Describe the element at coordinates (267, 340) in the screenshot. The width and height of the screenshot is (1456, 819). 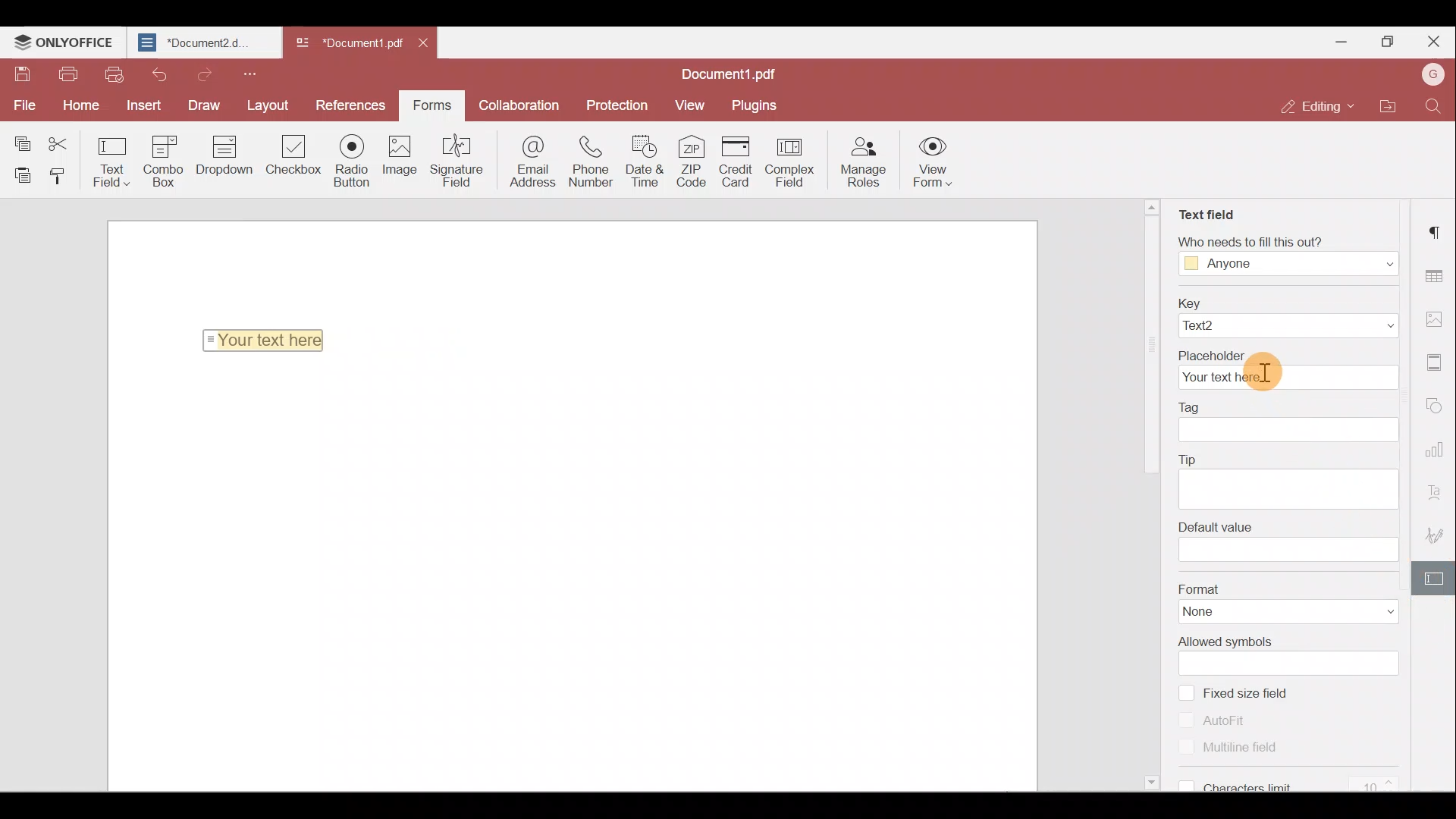
I see `Your text here` at that location.